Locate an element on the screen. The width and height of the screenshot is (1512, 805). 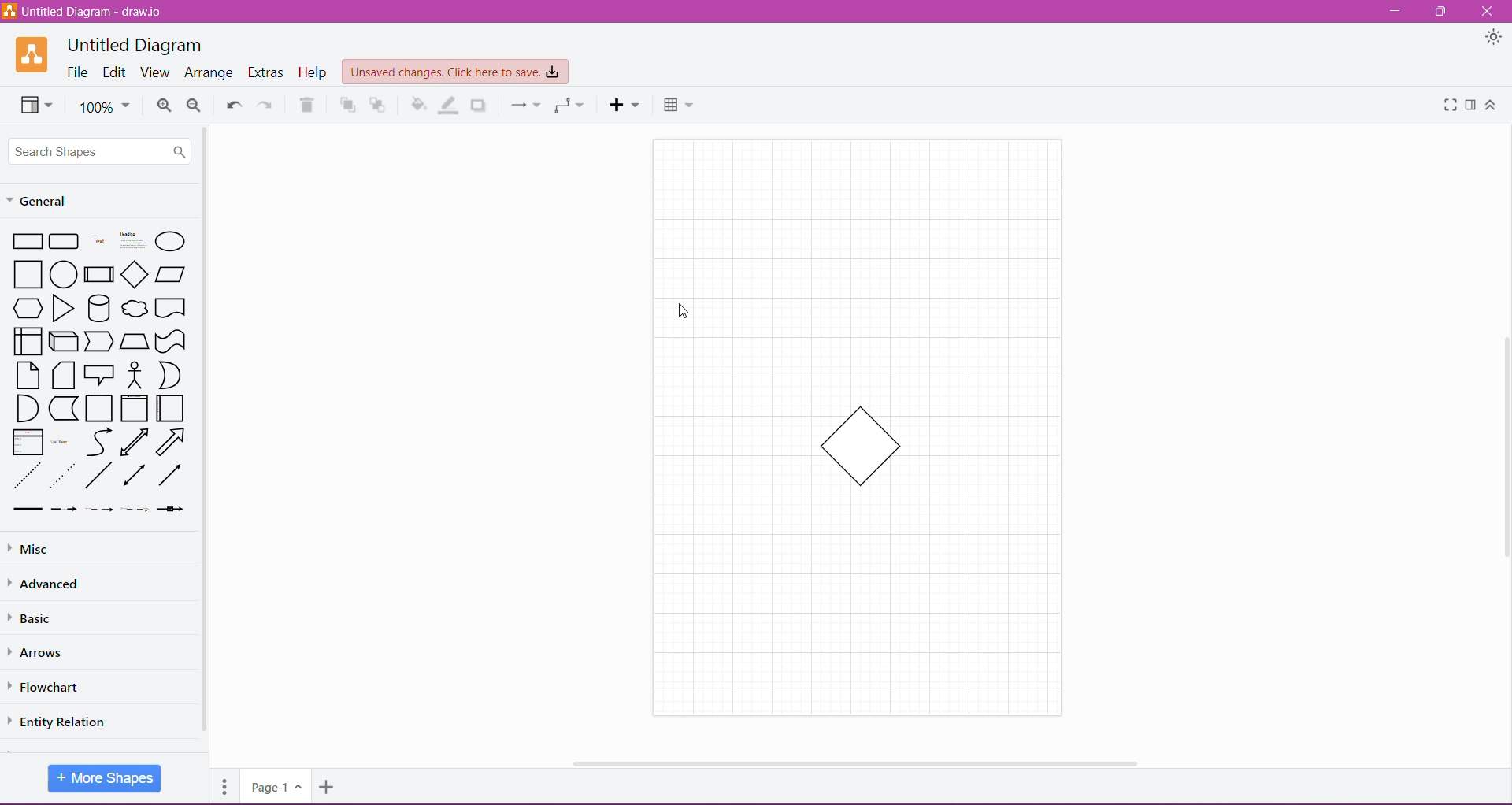
Vertical Scroll Bar is located at coordinates (204, 432).